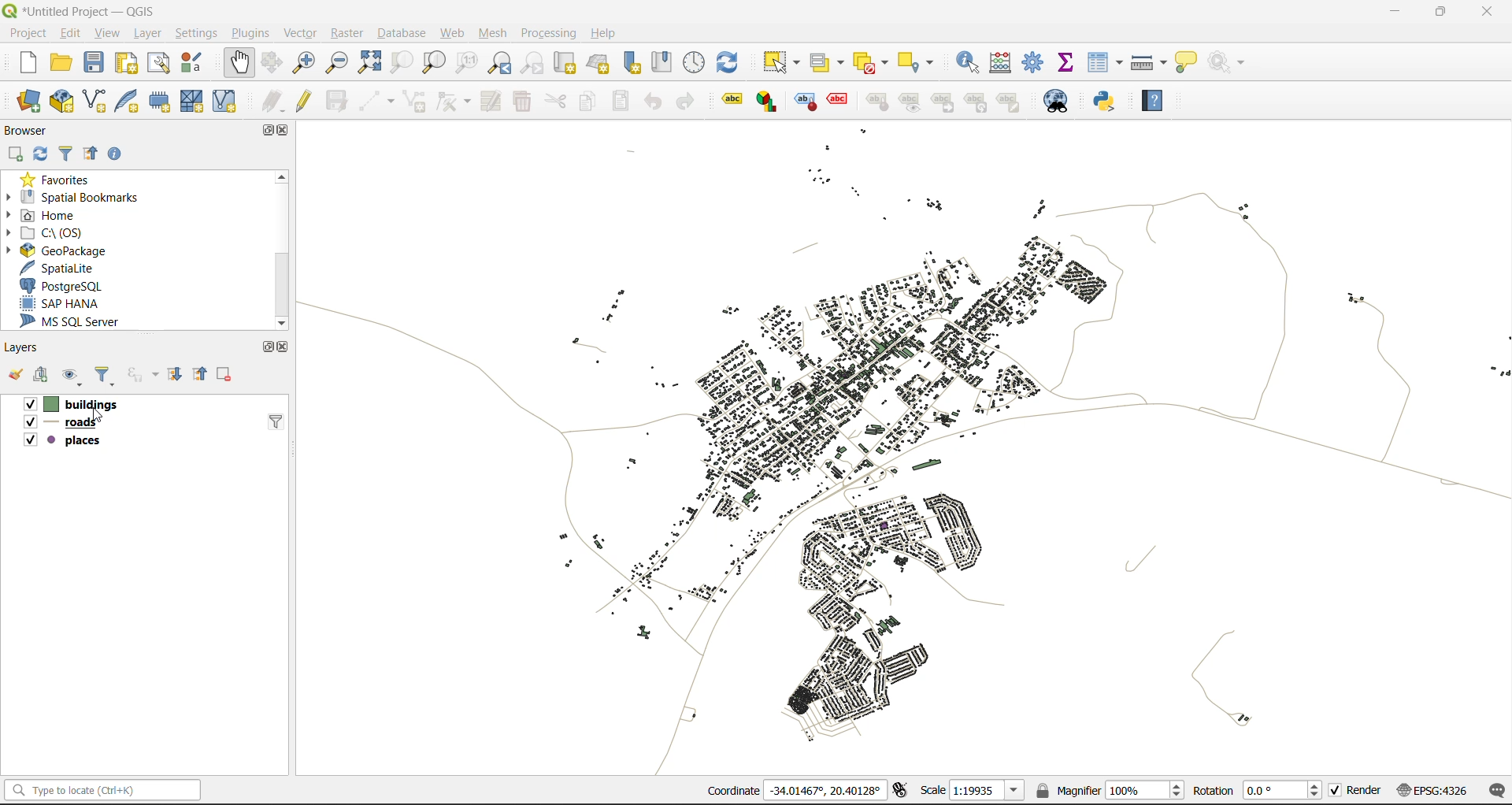  What do you see at coordinates (54, 423) in the screenshot?
I see `roads` at bounding box center [54, 423].